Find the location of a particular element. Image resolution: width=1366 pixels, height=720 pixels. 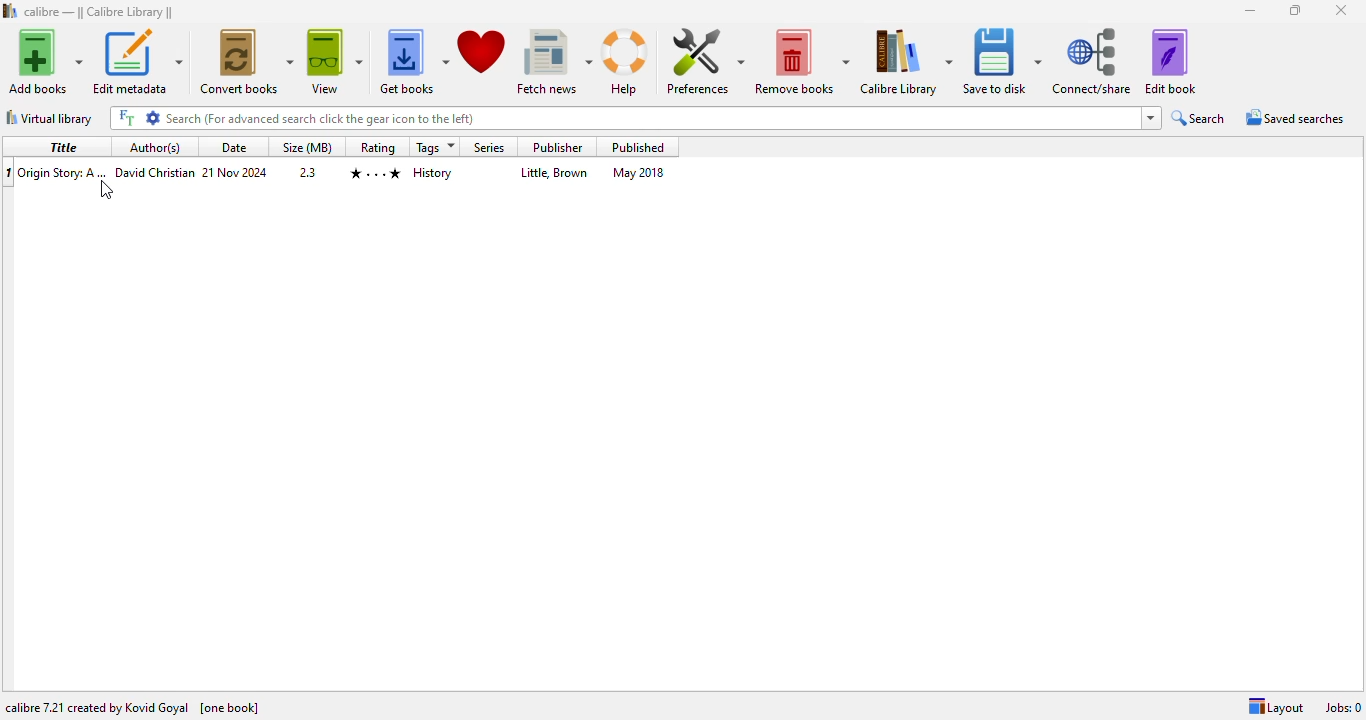

donate to support calibre is located at coordinates (482, 51).